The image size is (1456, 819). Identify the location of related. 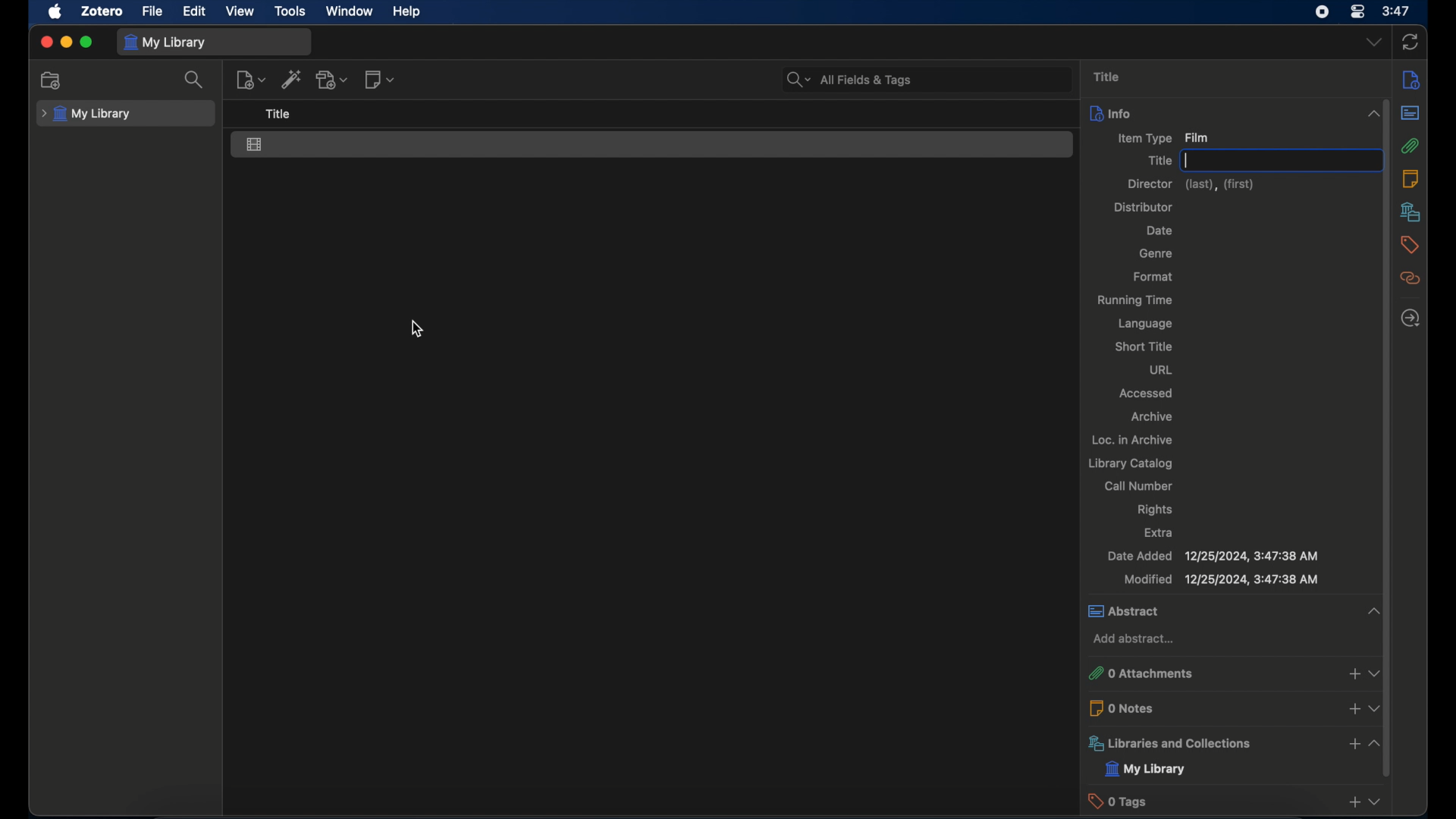
(1411, 278).